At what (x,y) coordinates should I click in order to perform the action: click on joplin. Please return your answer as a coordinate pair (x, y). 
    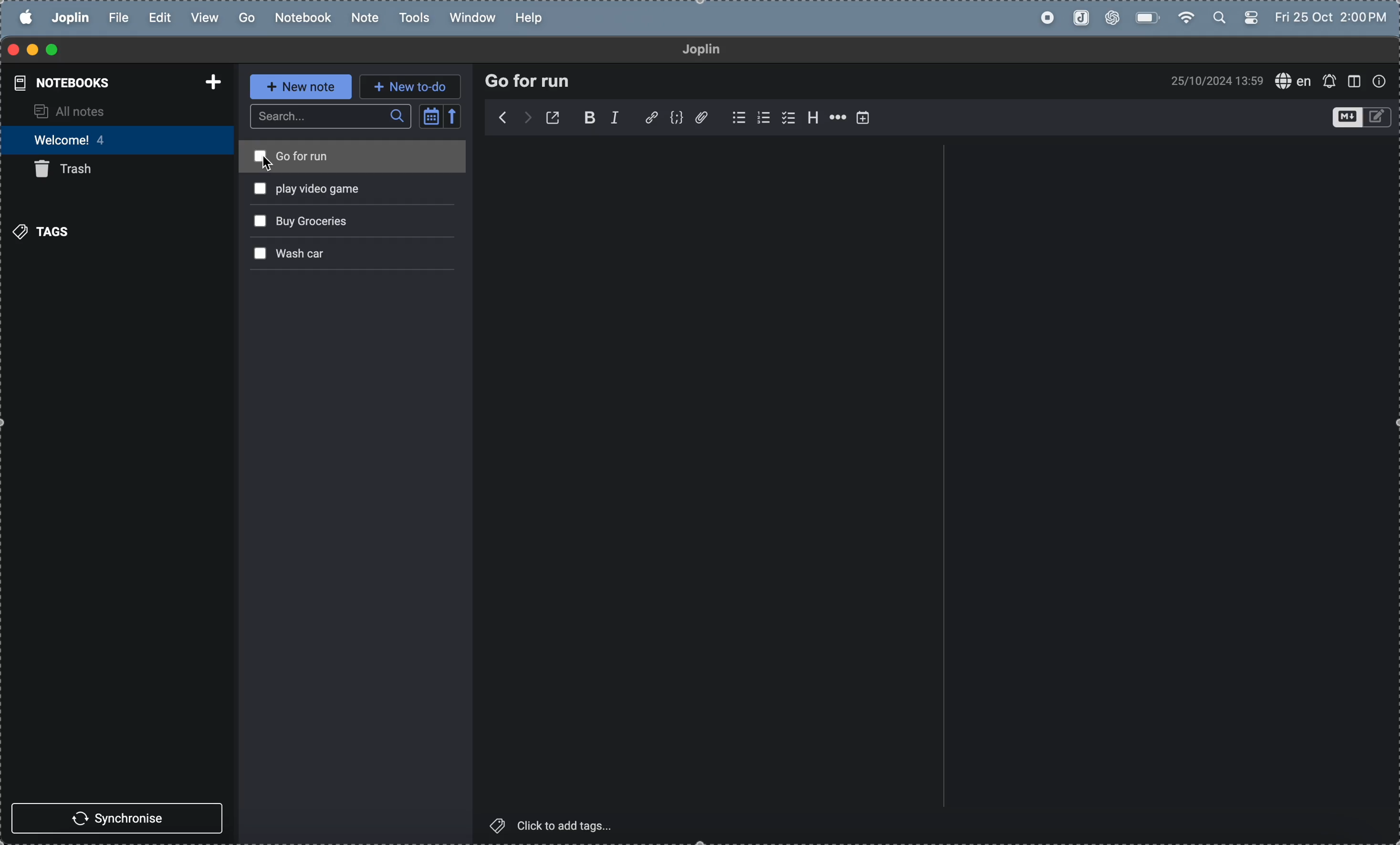
    Looking at the image, I should click on (69, 18).